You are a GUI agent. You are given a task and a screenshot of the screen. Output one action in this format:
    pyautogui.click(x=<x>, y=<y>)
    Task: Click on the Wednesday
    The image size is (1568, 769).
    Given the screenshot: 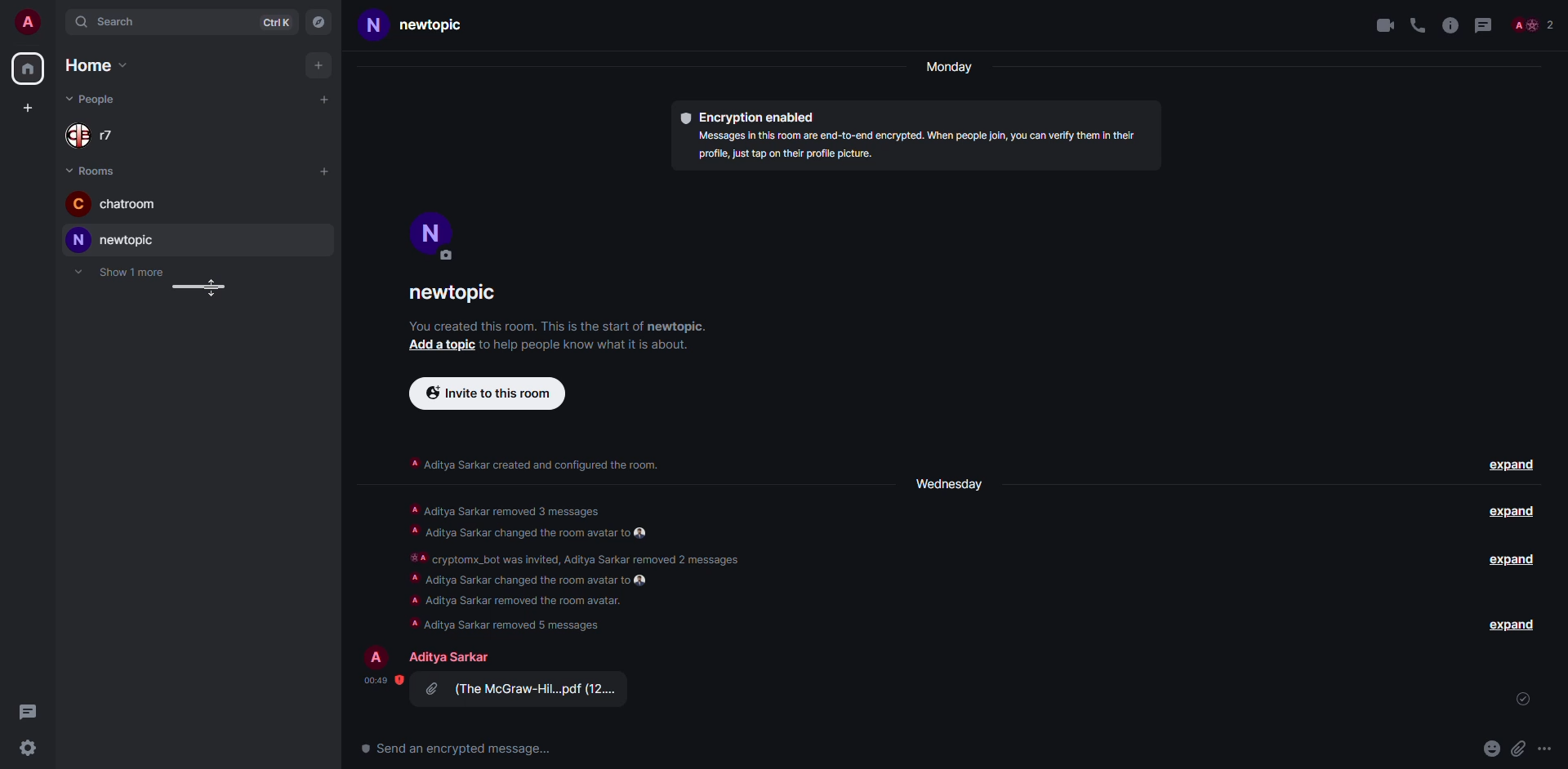 What is the action you would take?
    pyautogui.click(x=951, y=482)
    